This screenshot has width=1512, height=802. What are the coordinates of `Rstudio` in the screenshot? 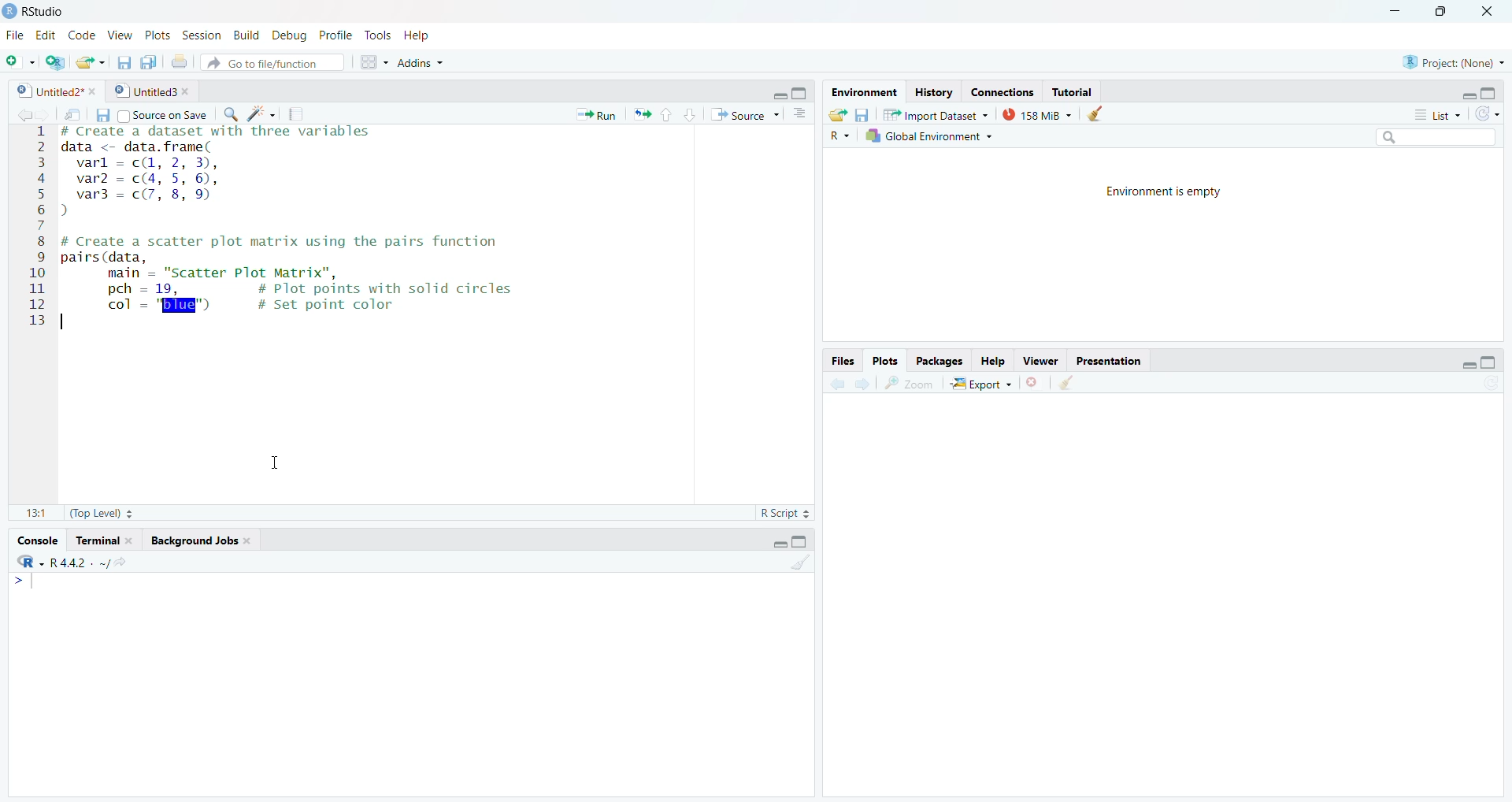 It's located at (46, 9).